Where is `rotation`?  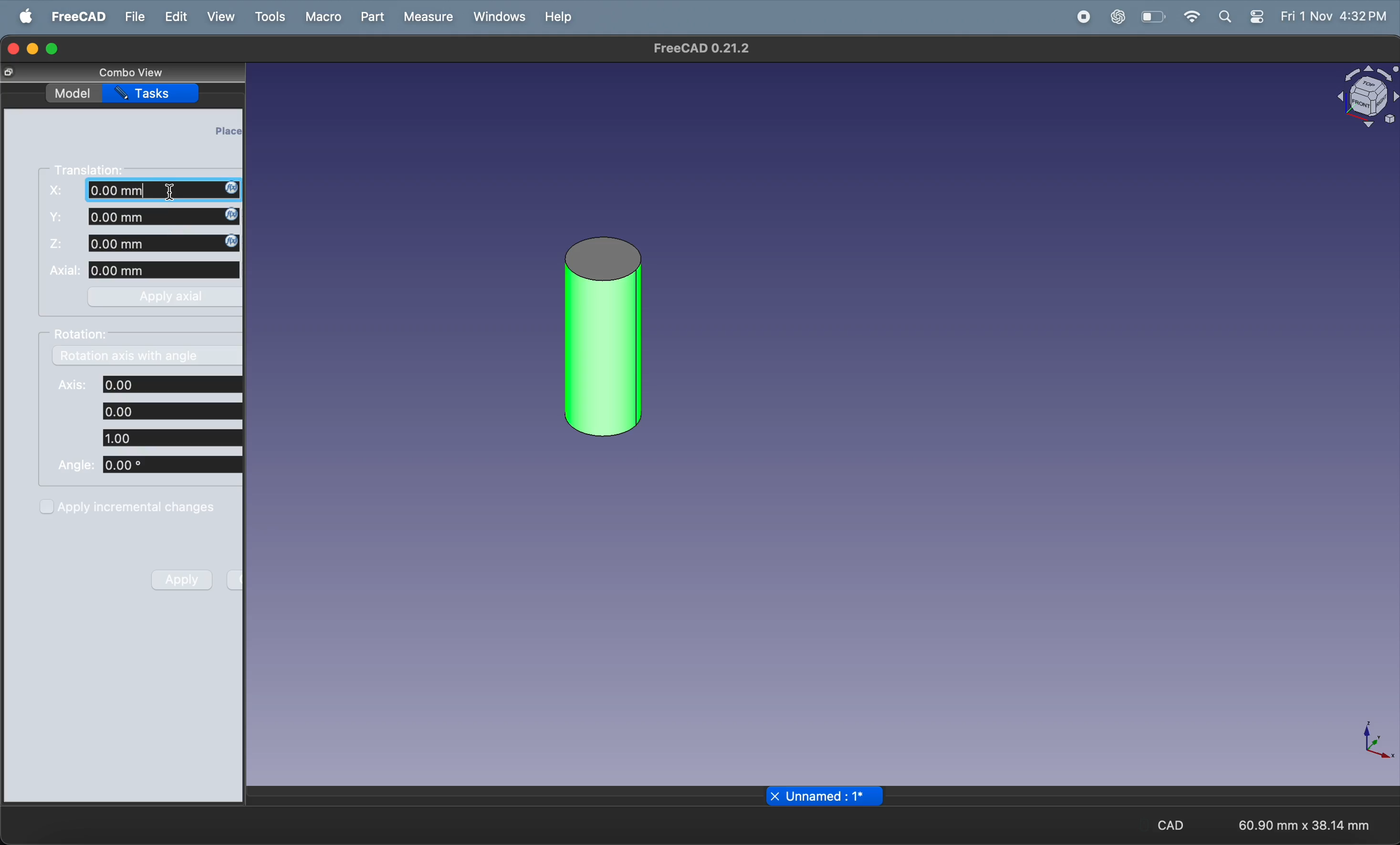 rotation is located at coordinates (86, 337).